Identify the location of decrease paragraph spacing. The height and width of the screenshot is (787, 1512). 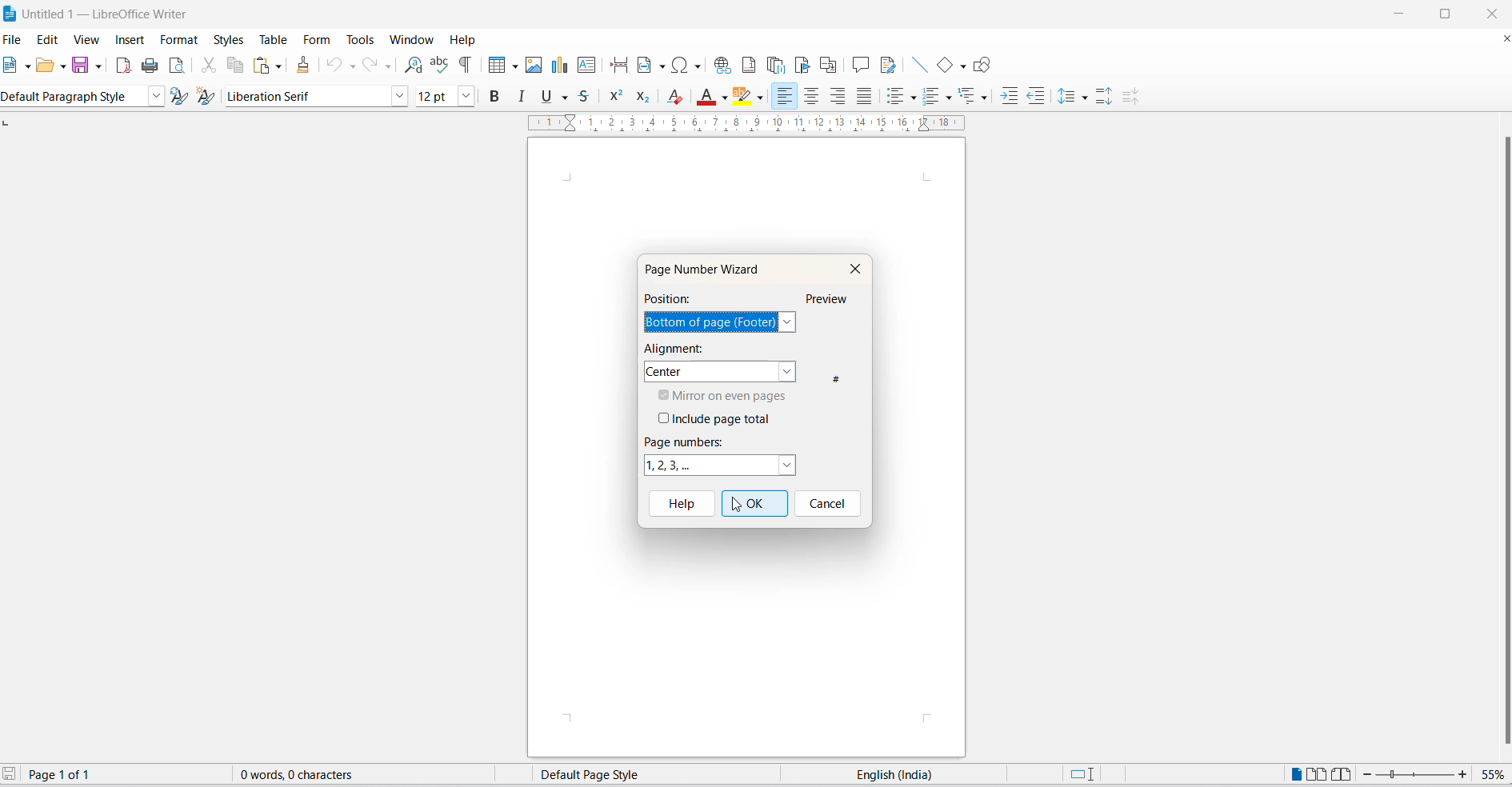
(1130, 98).